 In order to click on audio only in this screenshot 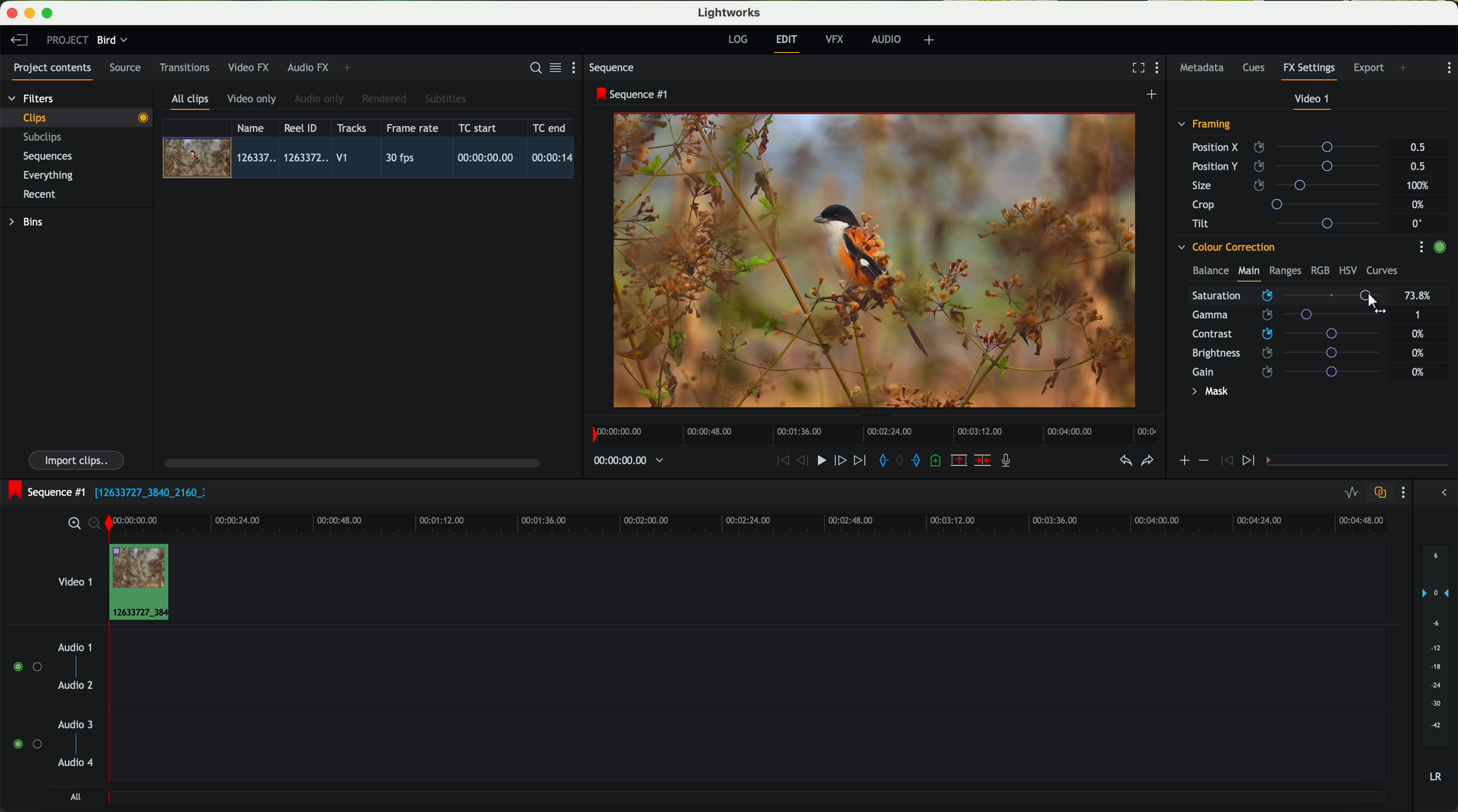, I will do `click(320, 99)`.